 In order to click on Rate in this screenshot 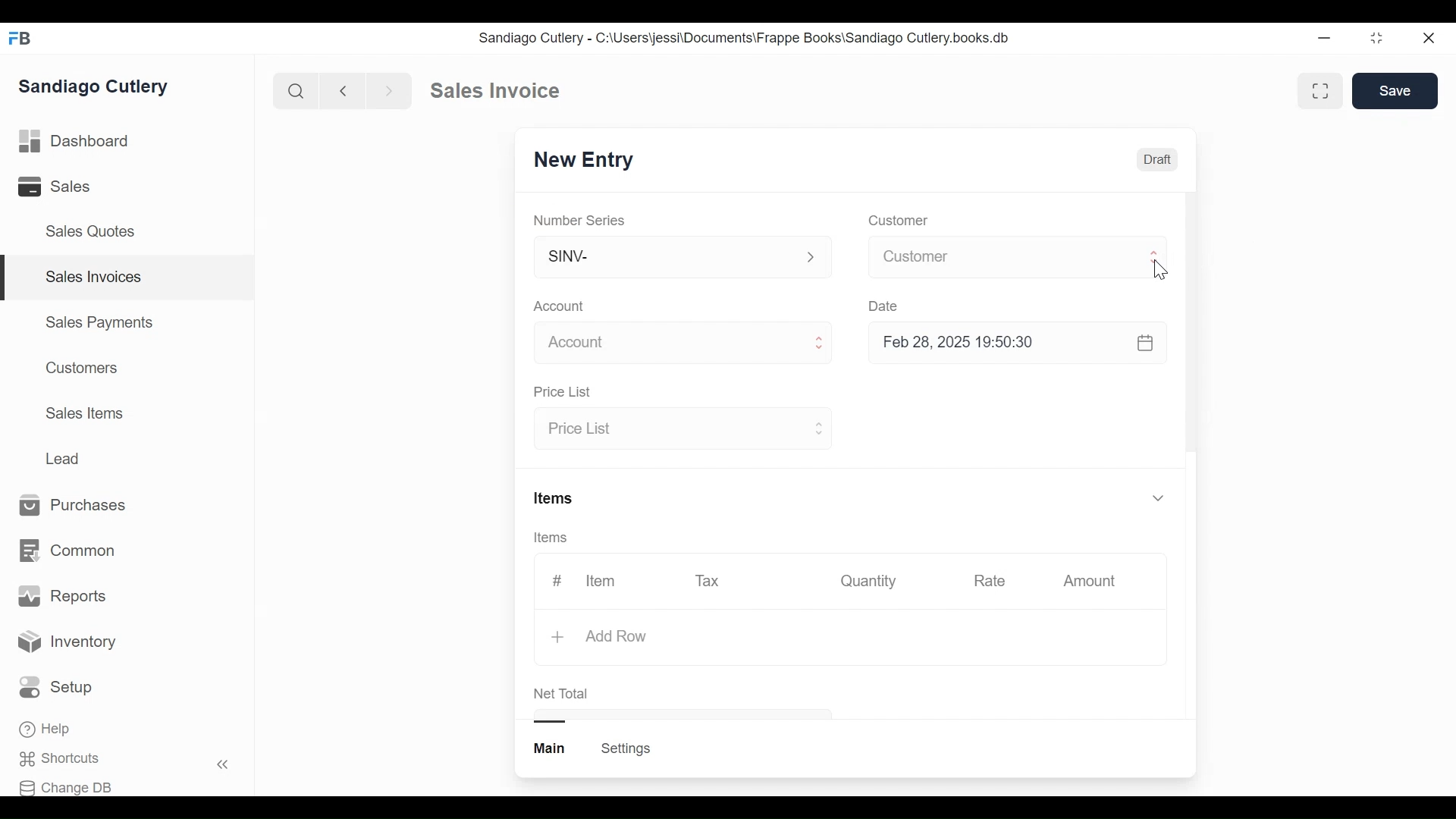, I will do `click(988, 581)`.